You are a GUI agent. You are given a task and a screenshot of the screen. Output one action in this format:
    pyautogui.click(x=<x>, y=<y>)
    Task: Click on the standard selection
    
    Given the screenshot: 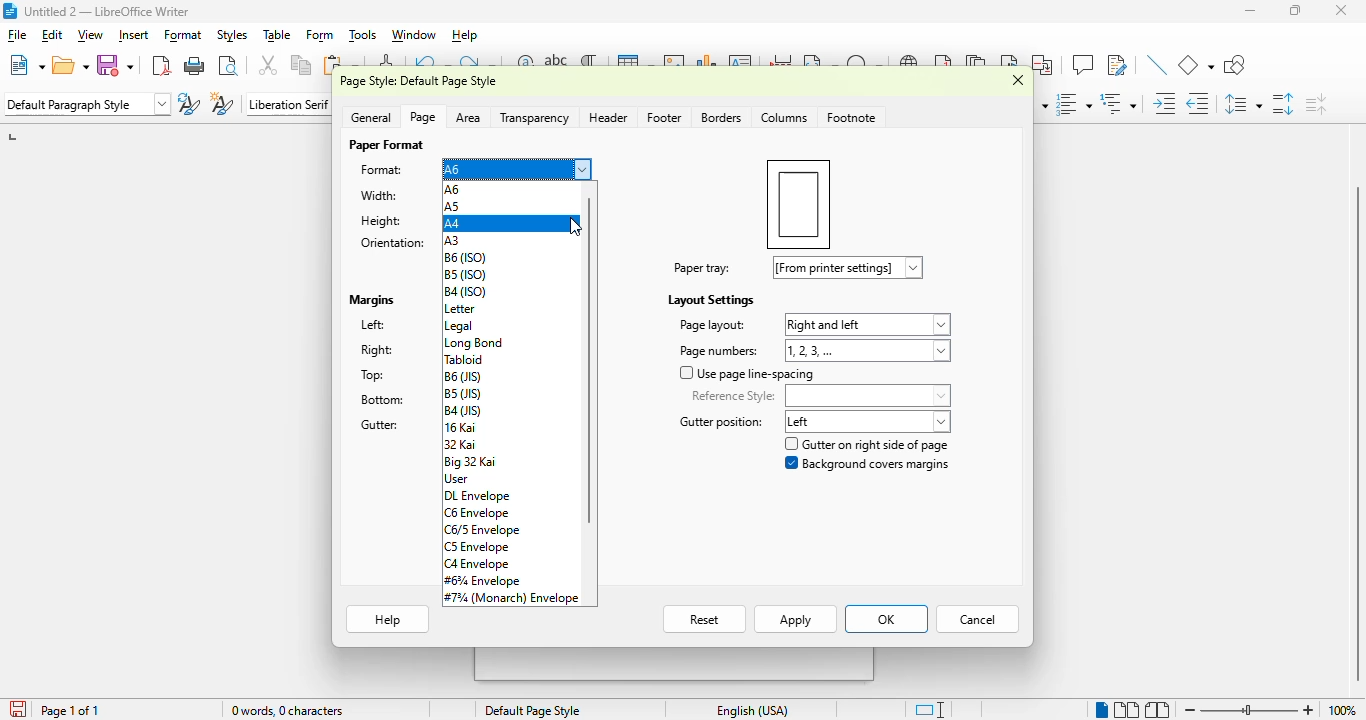 What is the action you would take?
    pyautogui.click(x=930, y=710)
    